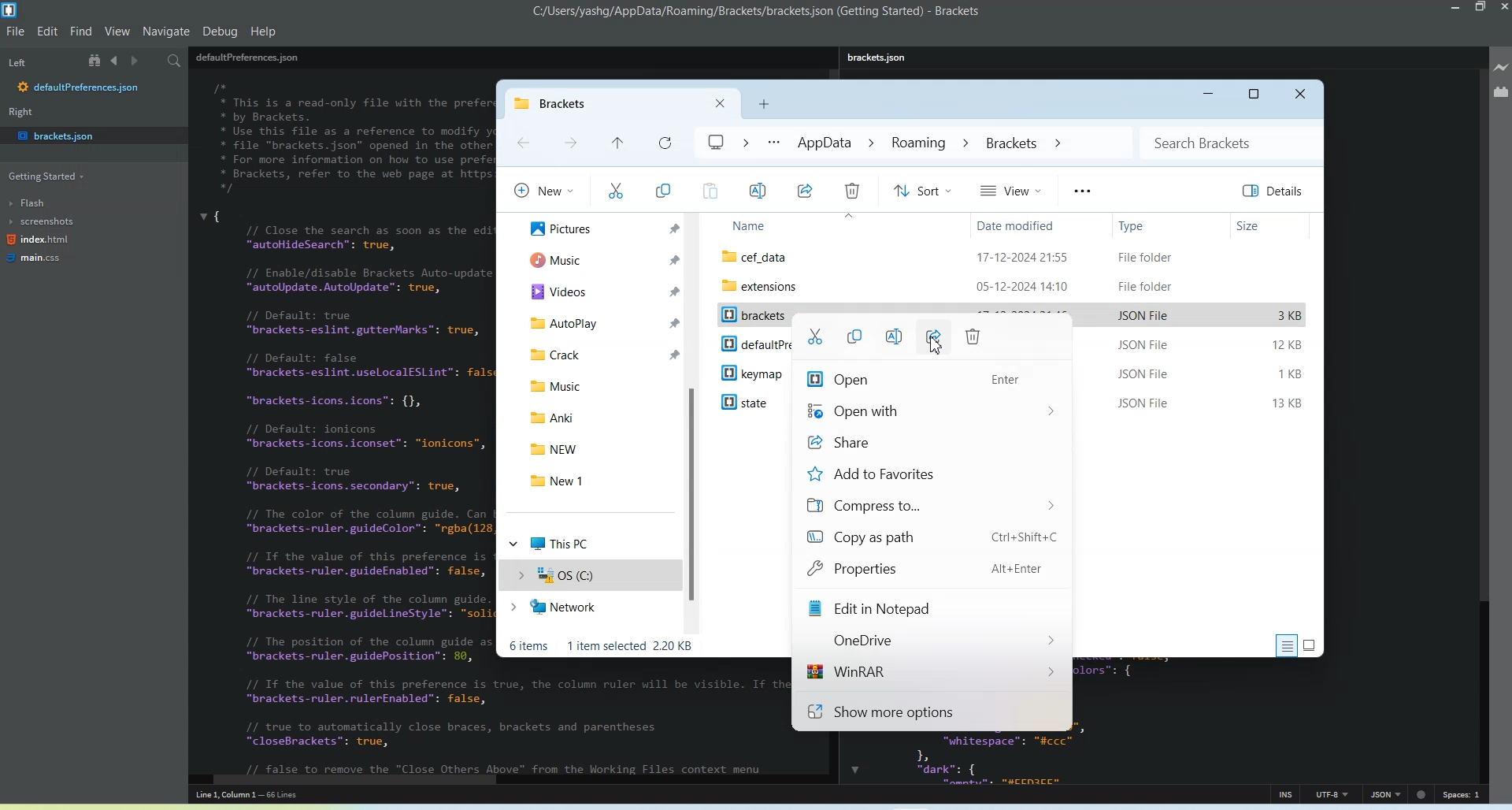  What do you see at coordinates (1081, 191) in the screenshot?
I see `More` at bounding box center [1081, 191].